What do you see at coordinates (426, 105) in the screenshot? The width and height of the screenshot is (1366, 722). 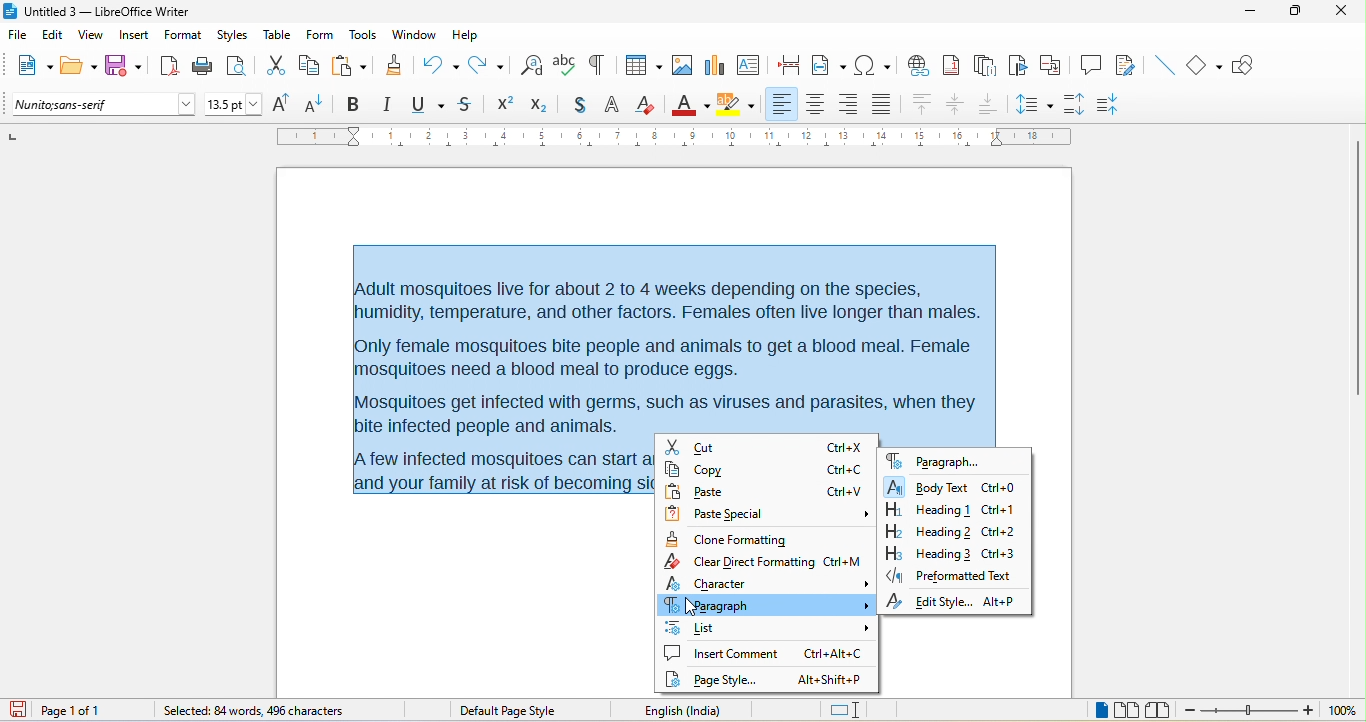 I see `underline` at bounding box center [426, 105].